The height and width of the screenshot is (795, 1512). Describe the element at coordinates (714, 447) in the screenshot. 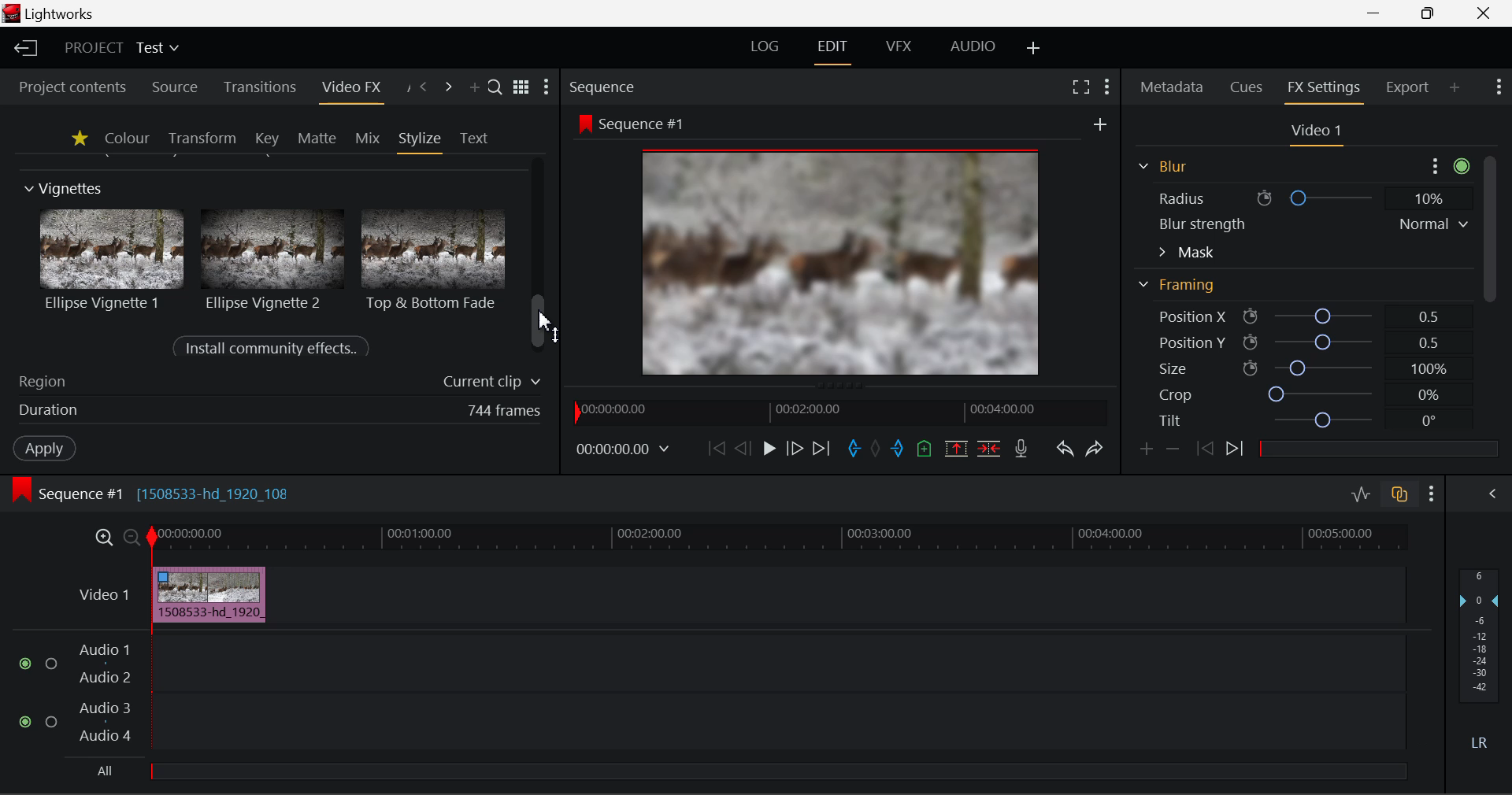

I see `To Start` at that location.